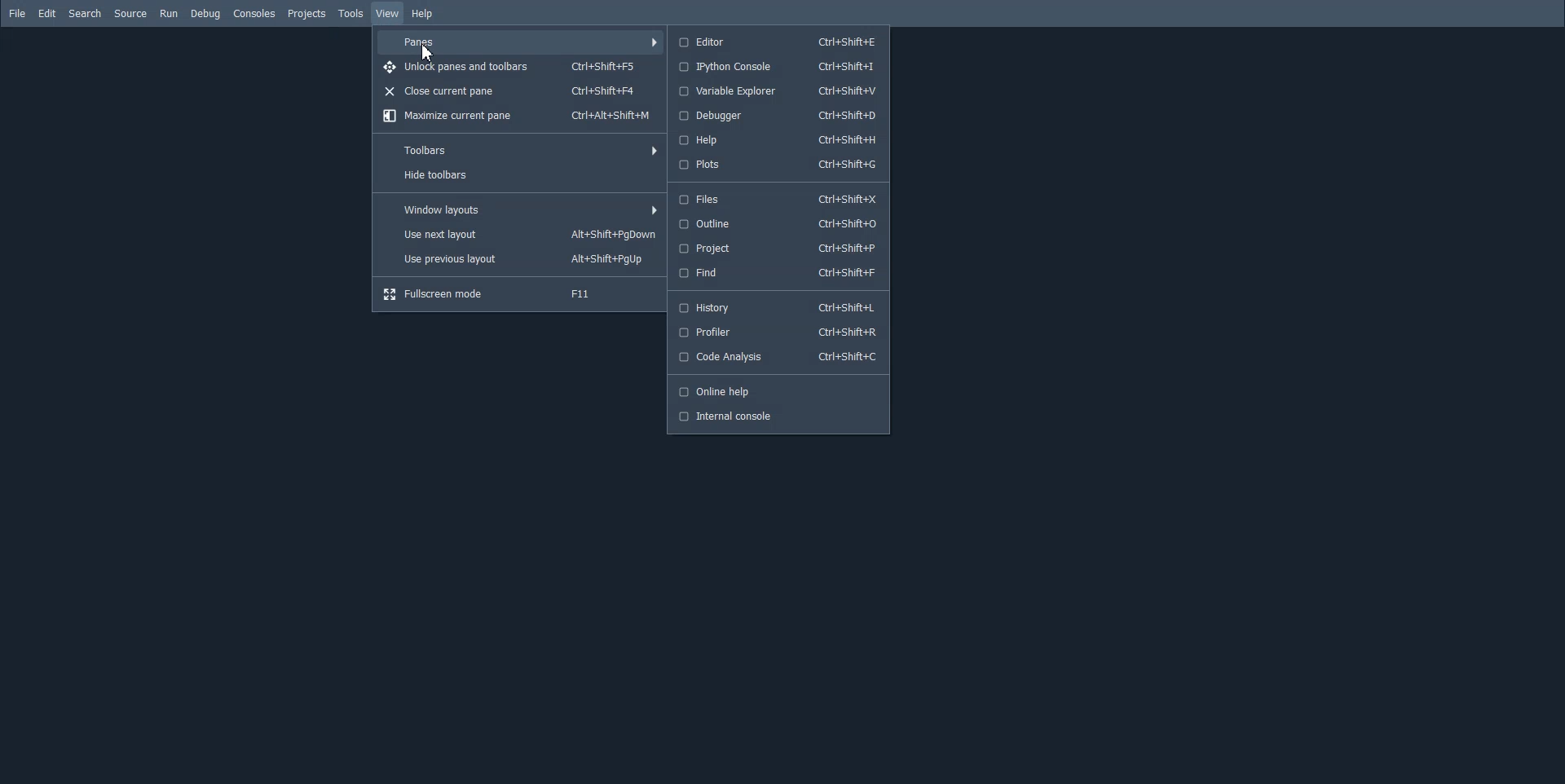  Describe the element at coordinates (422, 14) in the screenshot. I see `Help` at that location.